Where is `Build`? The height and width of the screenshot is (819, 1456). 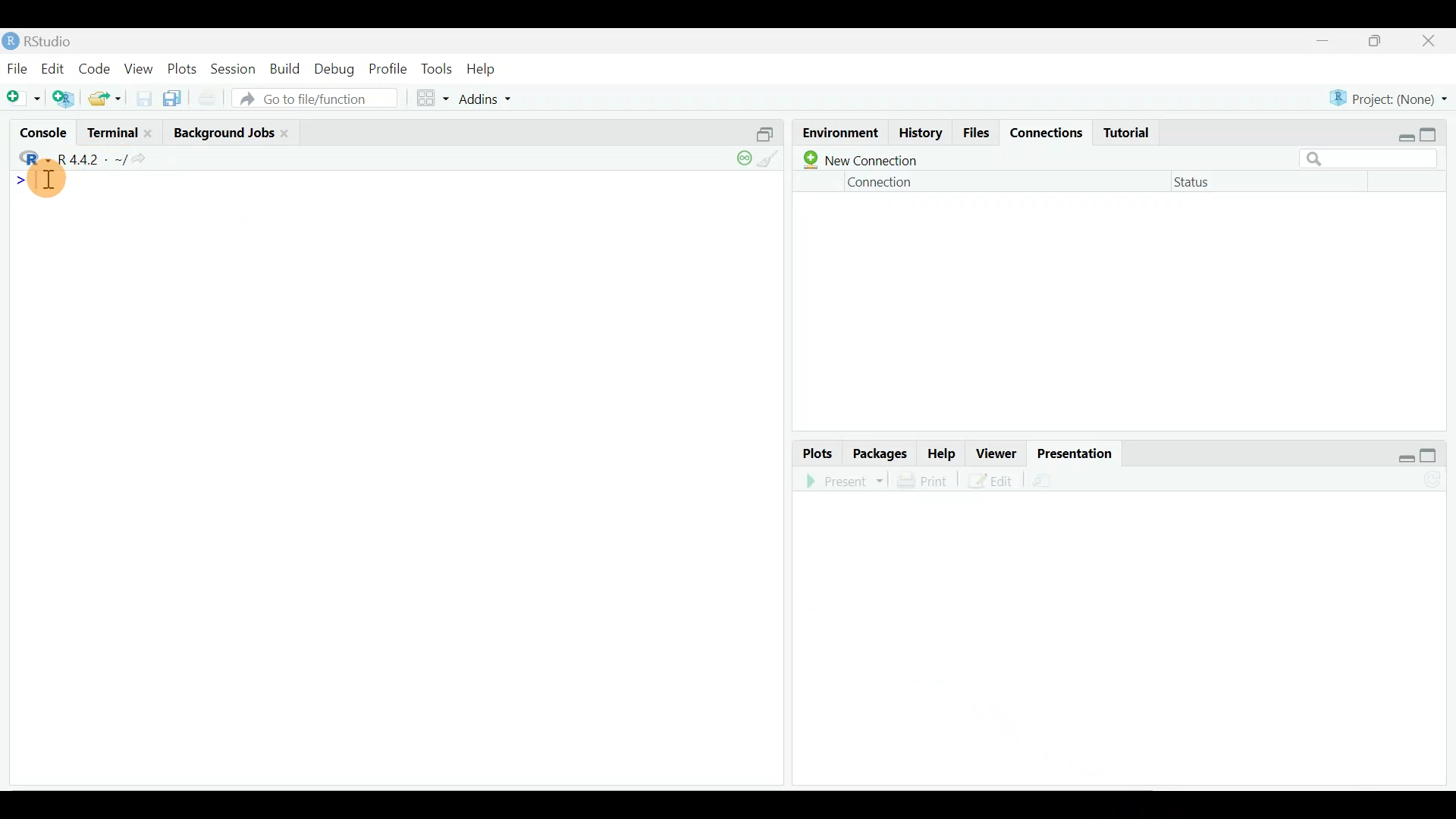
Build is located at coordinates (286, 69).